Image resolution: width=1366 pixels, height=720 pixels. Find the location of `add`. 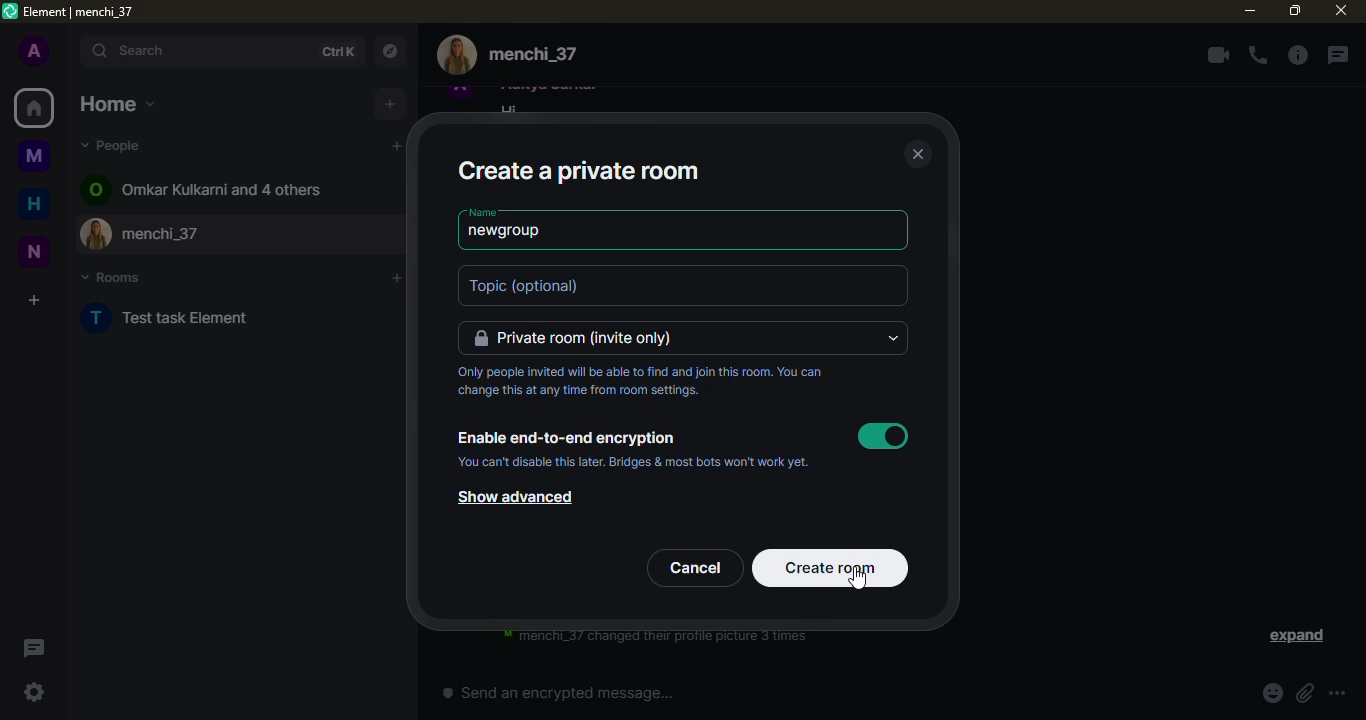

add is located at coordinates (390, 104).